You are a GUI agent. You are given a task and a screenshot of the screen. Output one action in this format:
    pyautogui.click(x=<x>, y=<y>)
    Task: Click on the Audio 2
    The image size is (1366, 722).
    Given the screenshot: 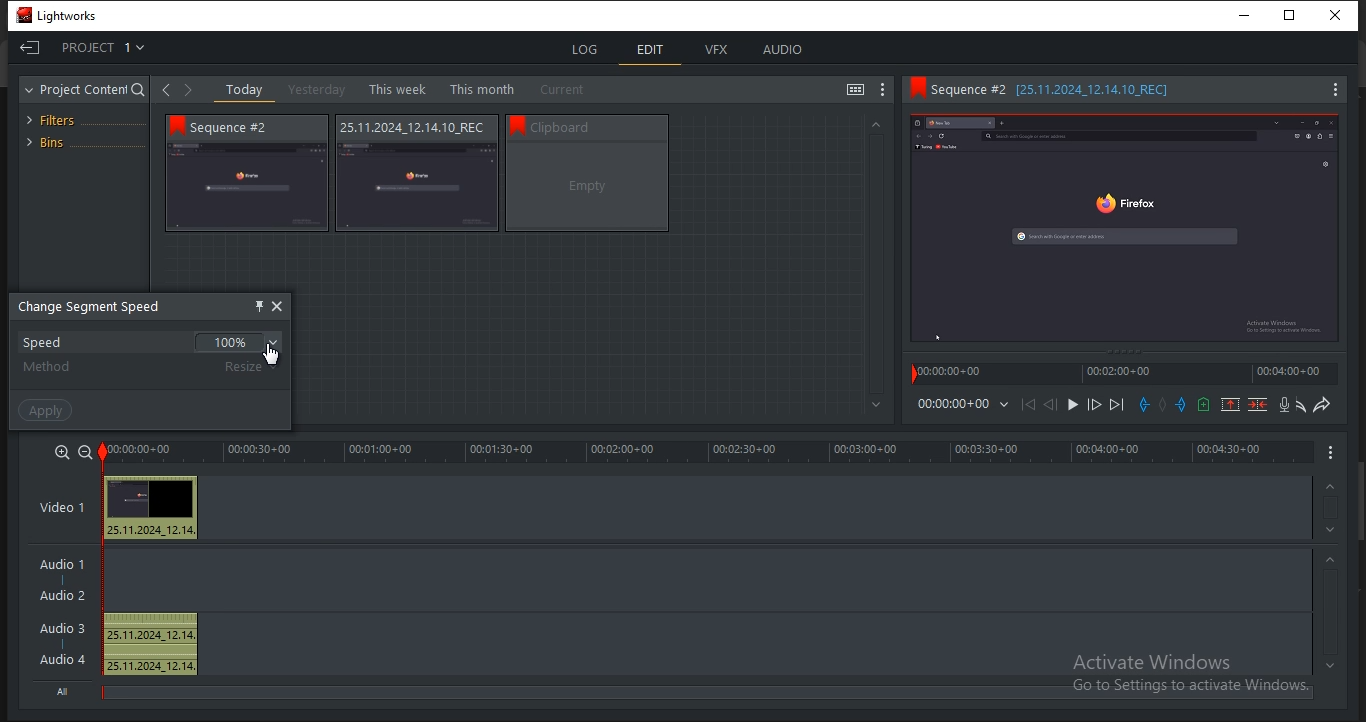 What is the action you would take?
    pyautogui.click(x=62, y=597)
    